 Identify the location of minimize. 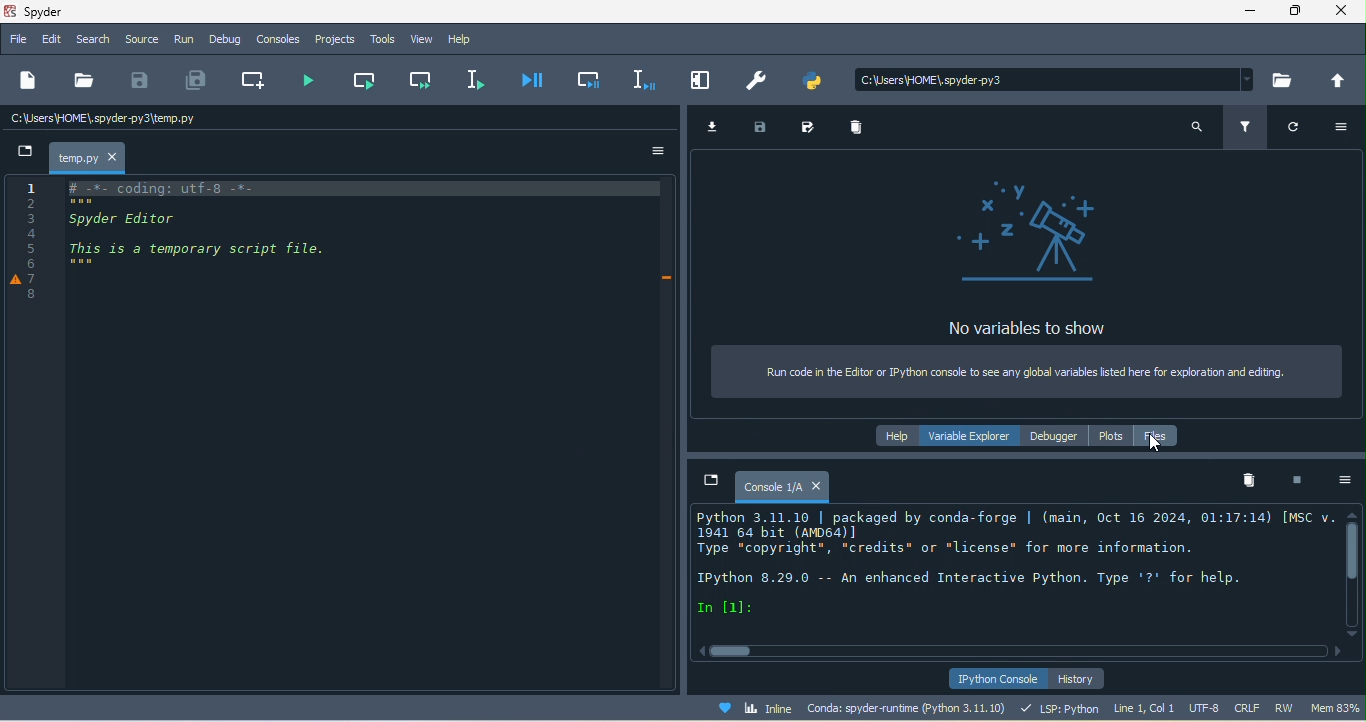
(1247, 11).